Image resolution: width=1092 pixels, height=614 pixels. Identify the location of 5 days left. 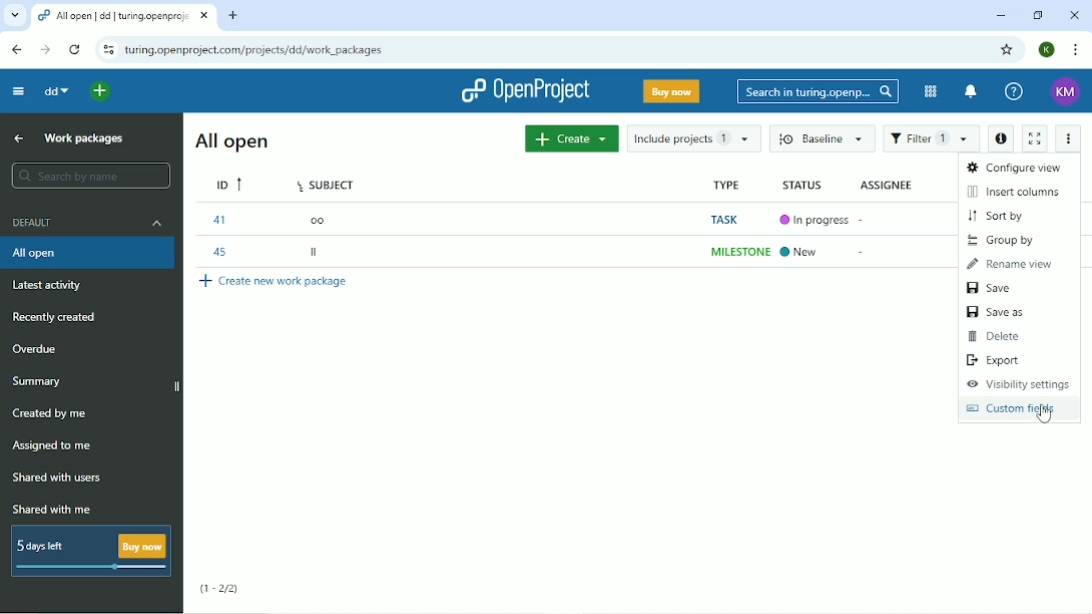
(91, 552).